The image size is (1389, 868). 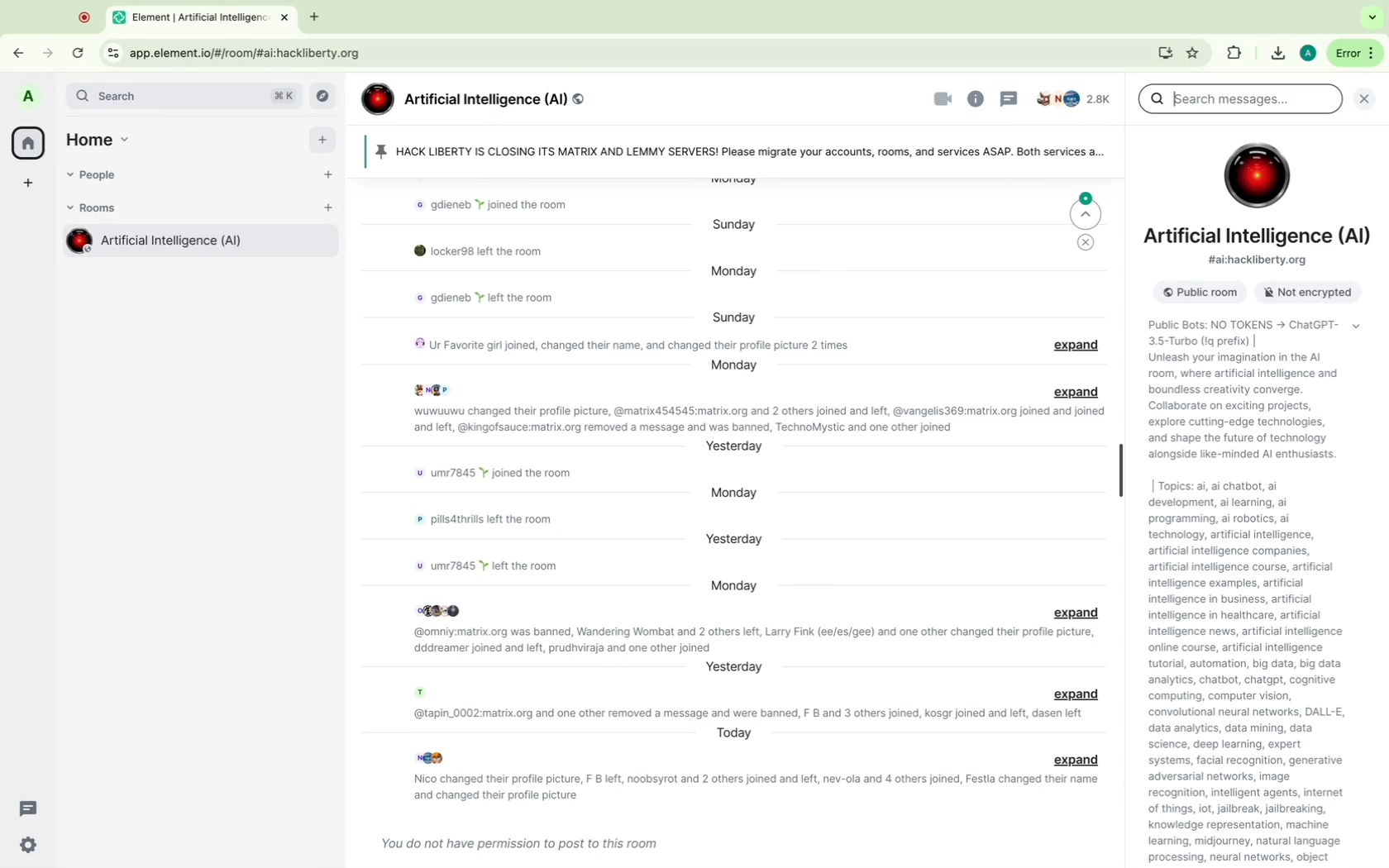 I want to click on threads, so click(x=30, y=808).